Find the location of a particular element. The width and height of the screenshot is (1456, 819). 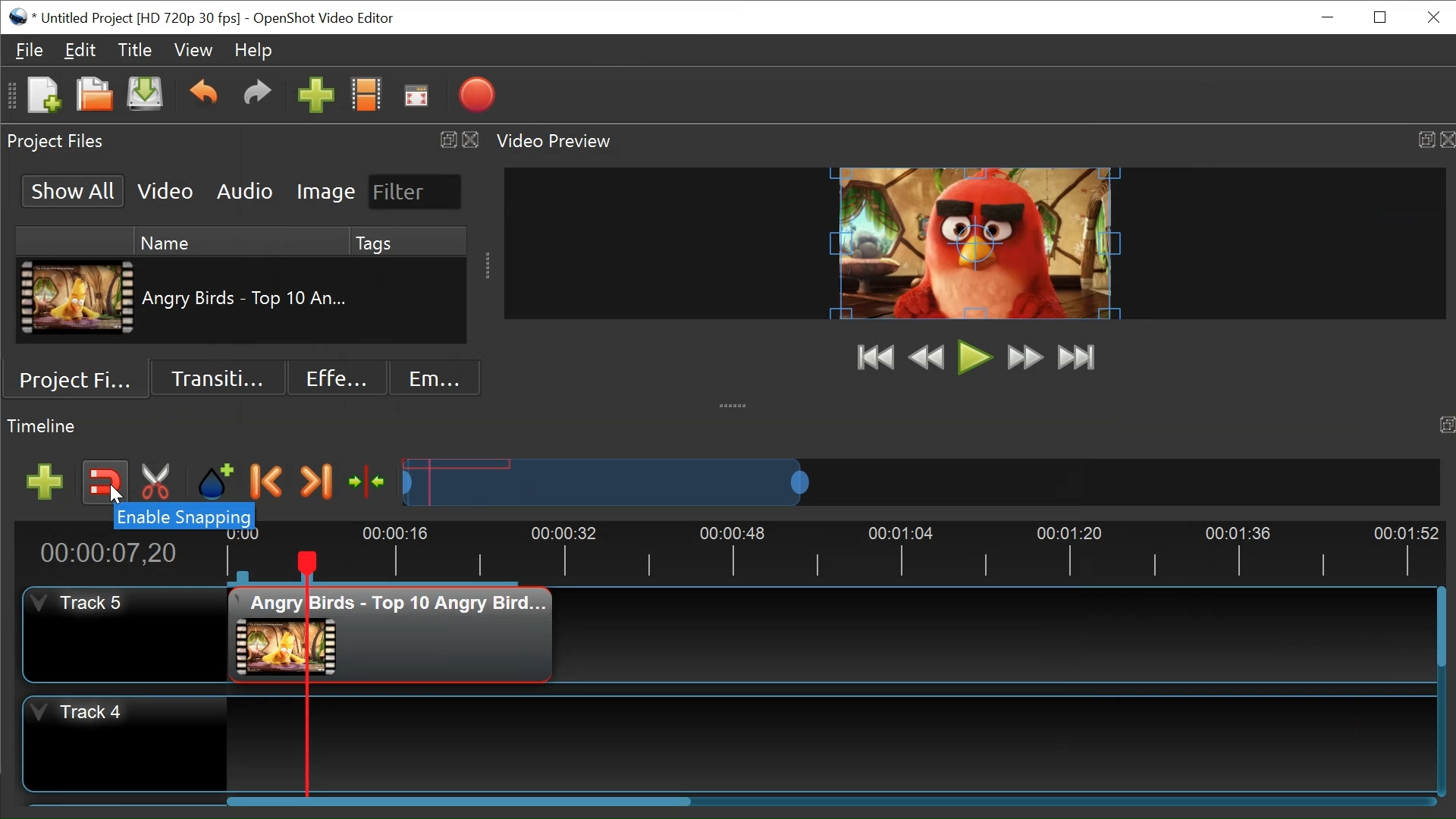

Rewind is located at coordinates (924, 358).